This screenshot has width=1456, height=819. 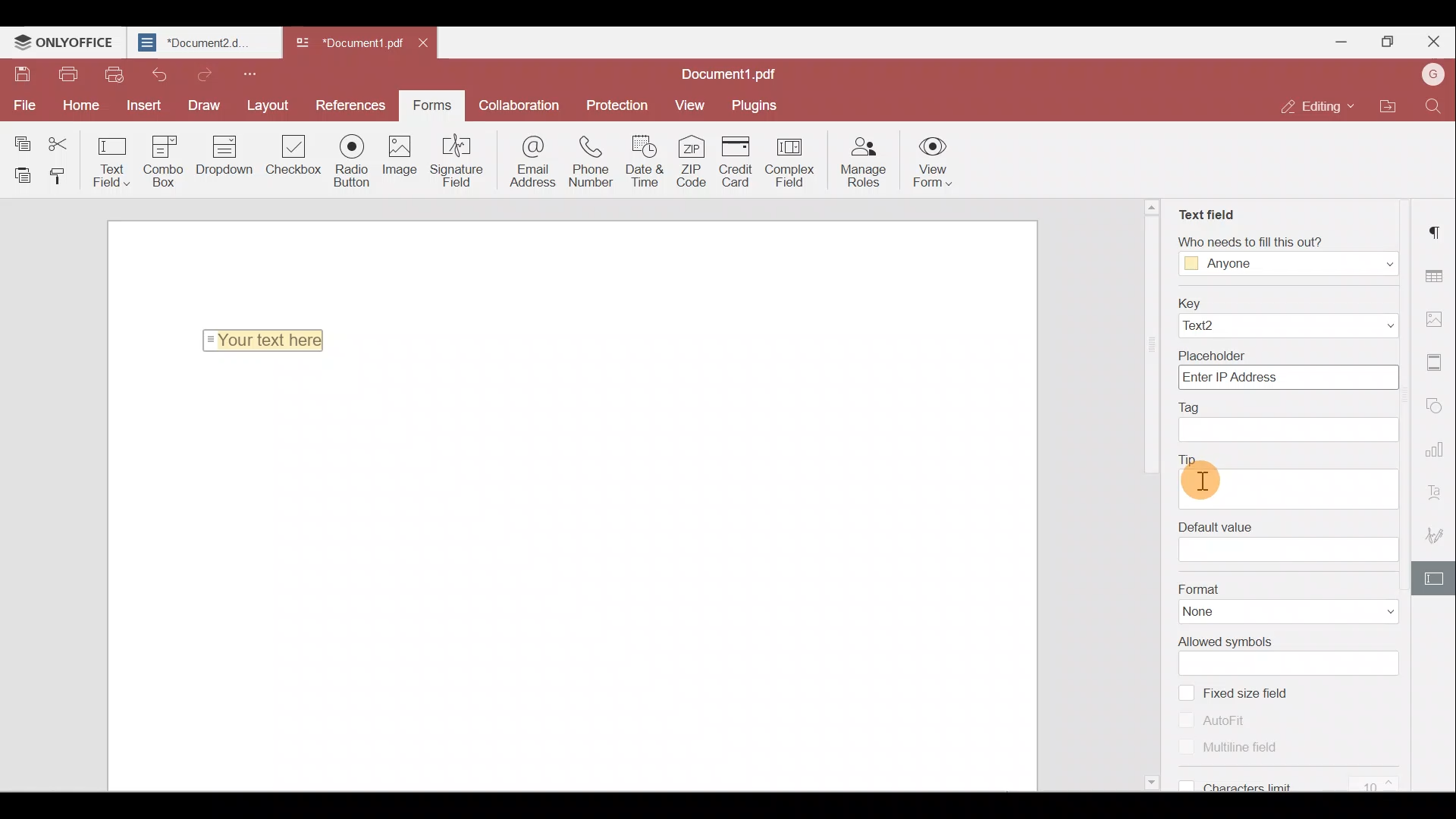 I want to click on Text2, so click(x=1222, y=326).